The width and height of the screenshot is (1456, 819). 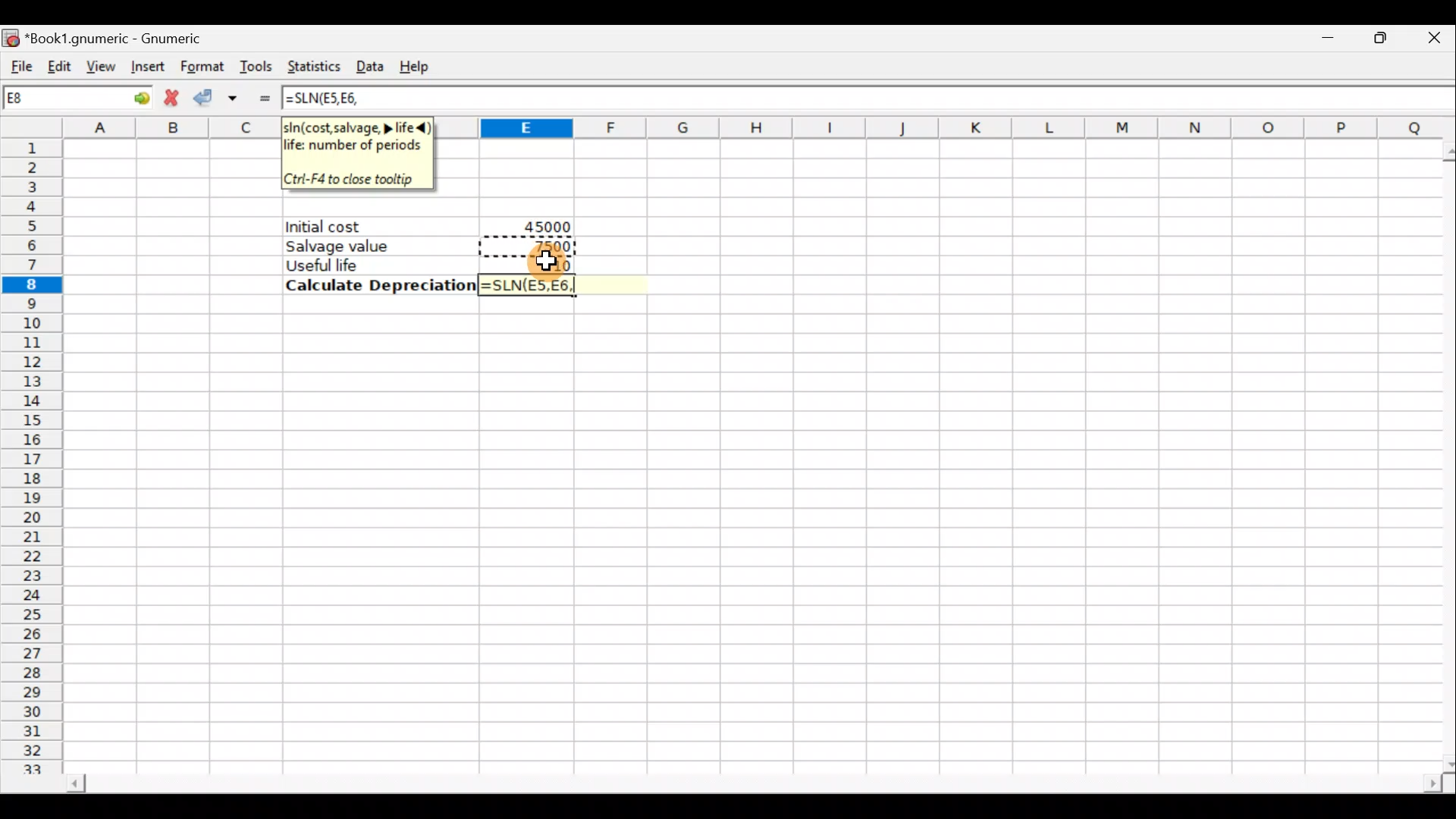 I want to click on 7500, so click(x=545, y=246).